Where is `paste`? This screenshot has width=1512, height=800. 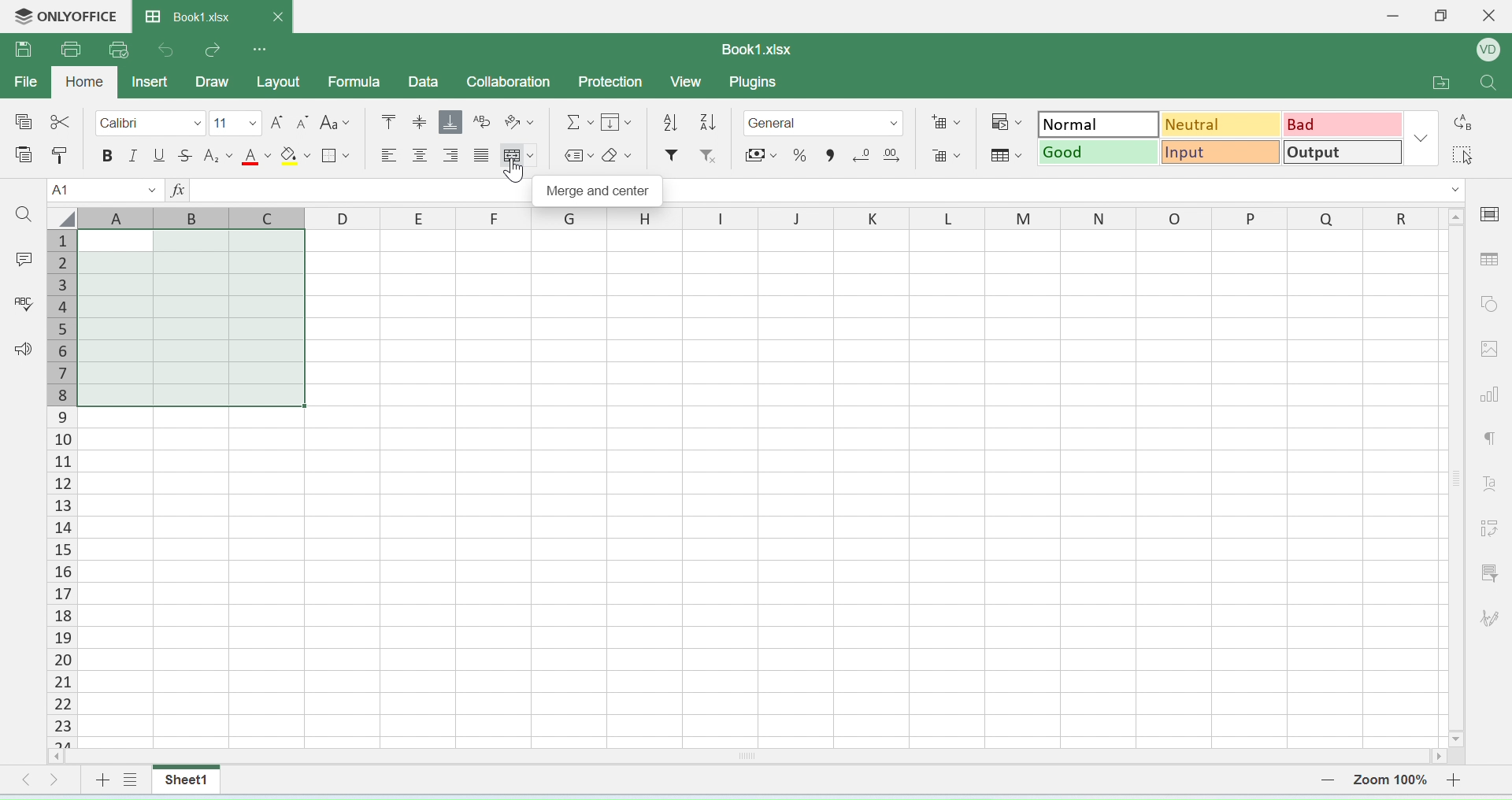 paste is located at coordinates (61, 158).